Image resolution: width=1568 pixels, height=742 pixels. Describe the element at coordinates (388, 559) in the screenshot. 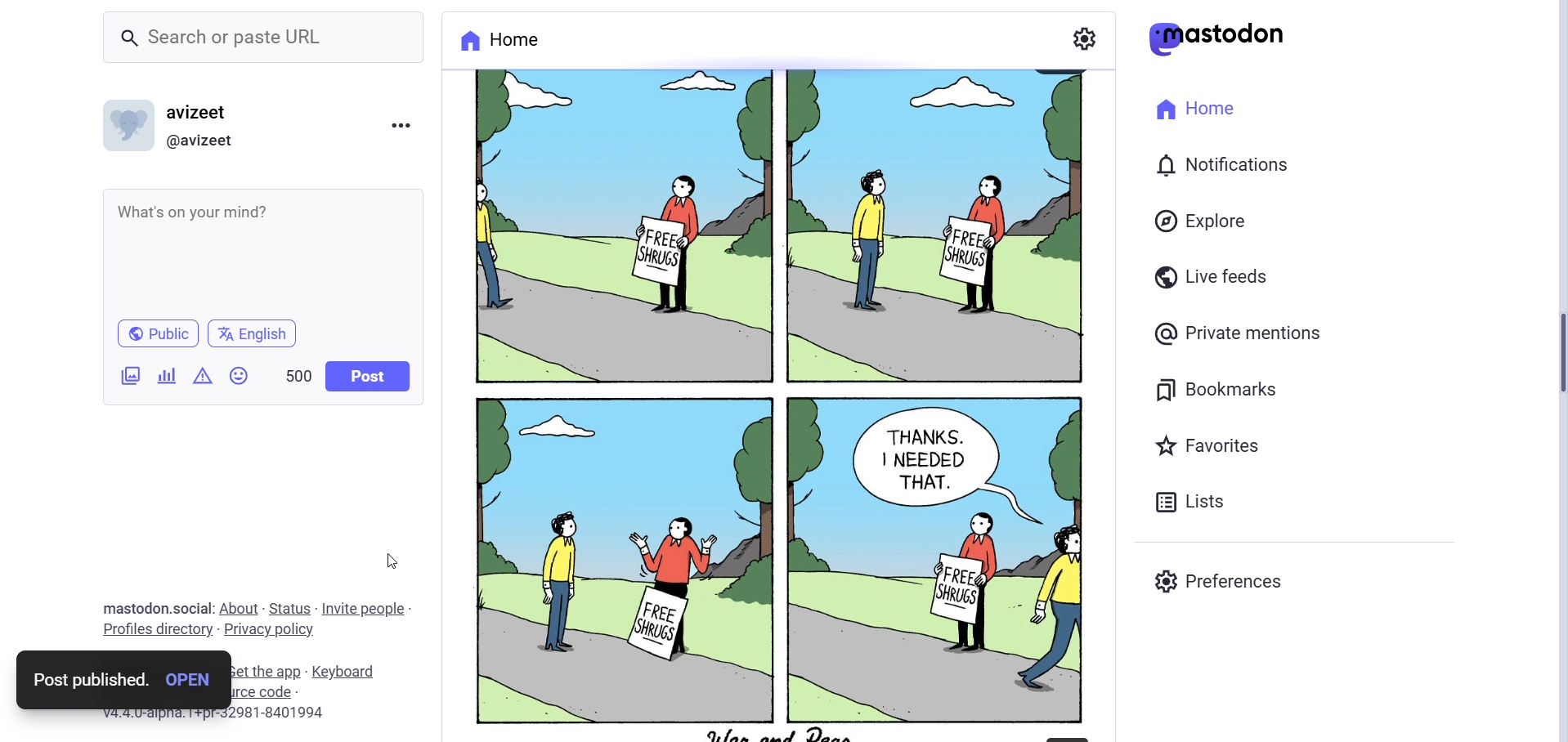

I see `cursor` at that location.